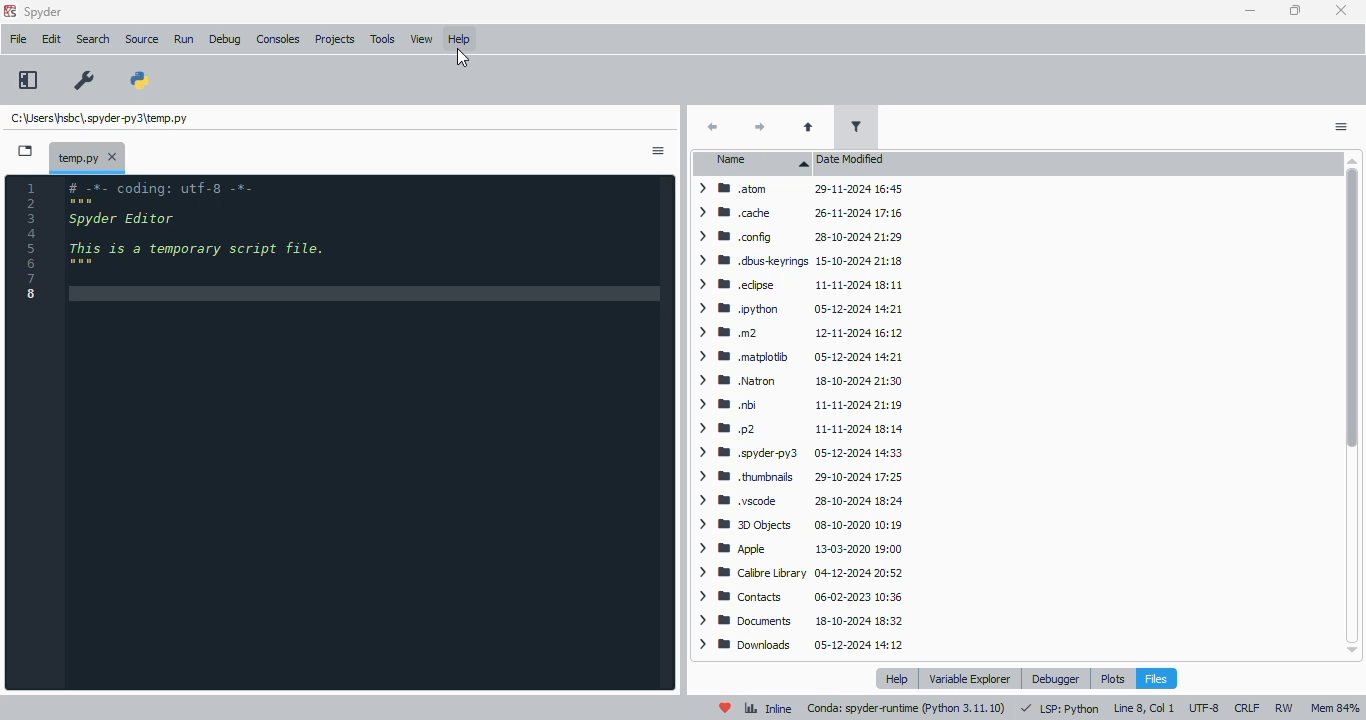 The image size is (1366, 720). What do you see at coordinates (18, 40) in the screenshot?
I see `file` at bounding box center [18, 40].